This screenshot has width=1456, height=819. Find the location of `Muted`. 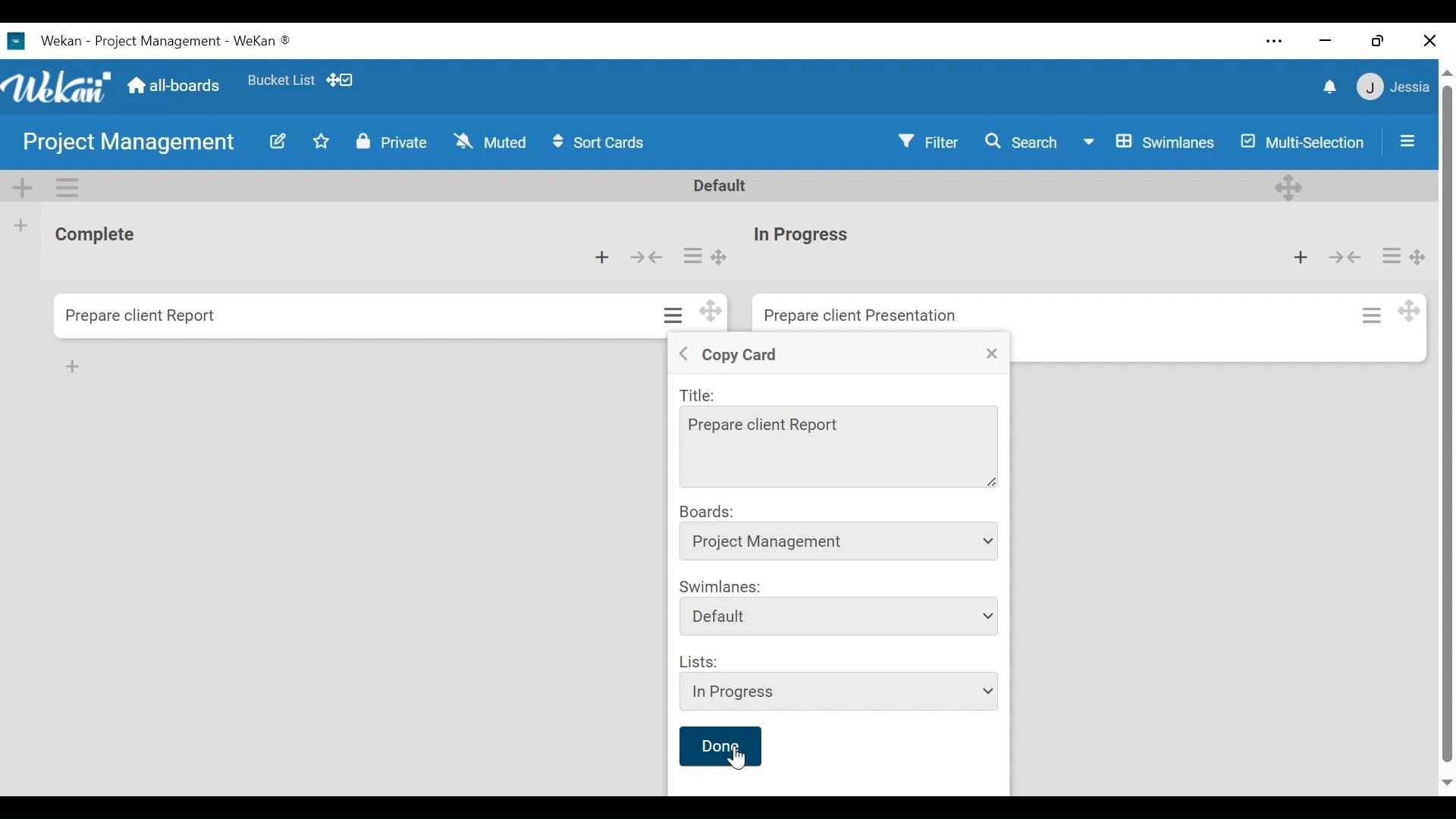

Muted is located at coordinates (490, 142).